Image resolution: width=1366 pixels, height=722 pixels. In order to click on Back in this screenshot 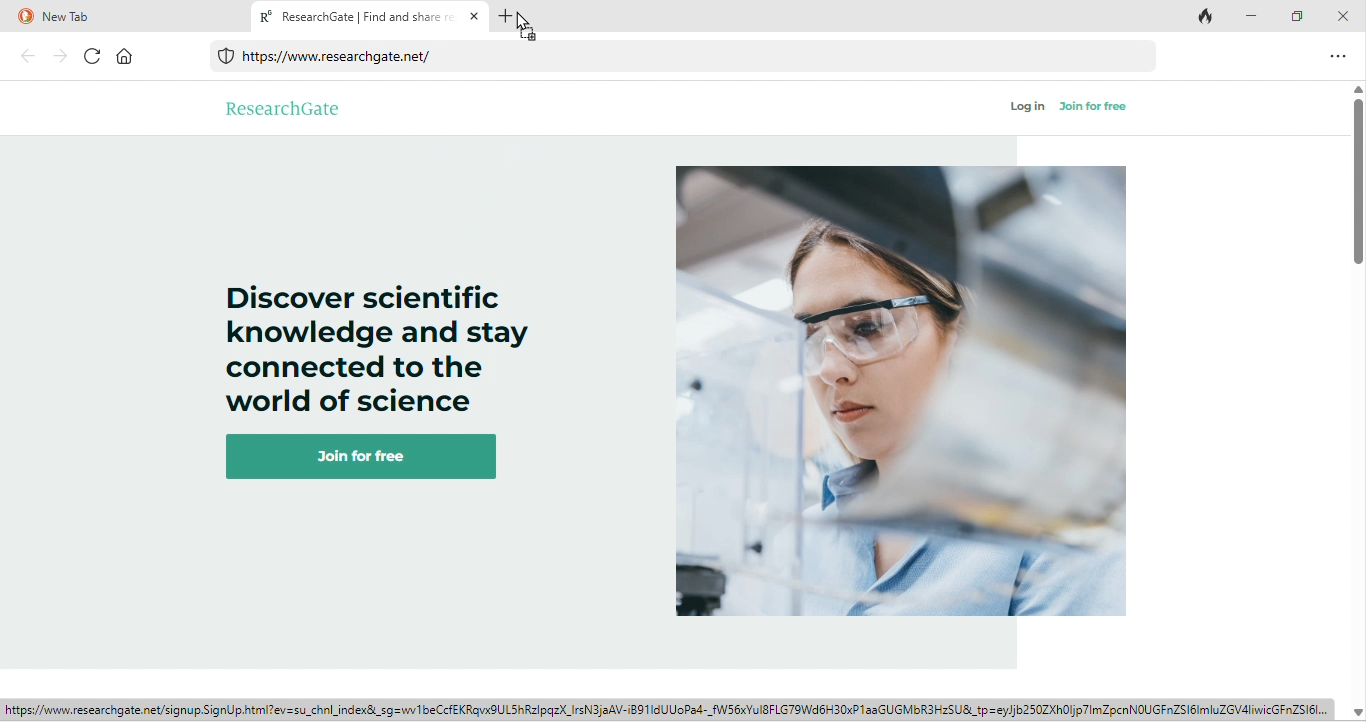, I will do `click(27, 56)`.